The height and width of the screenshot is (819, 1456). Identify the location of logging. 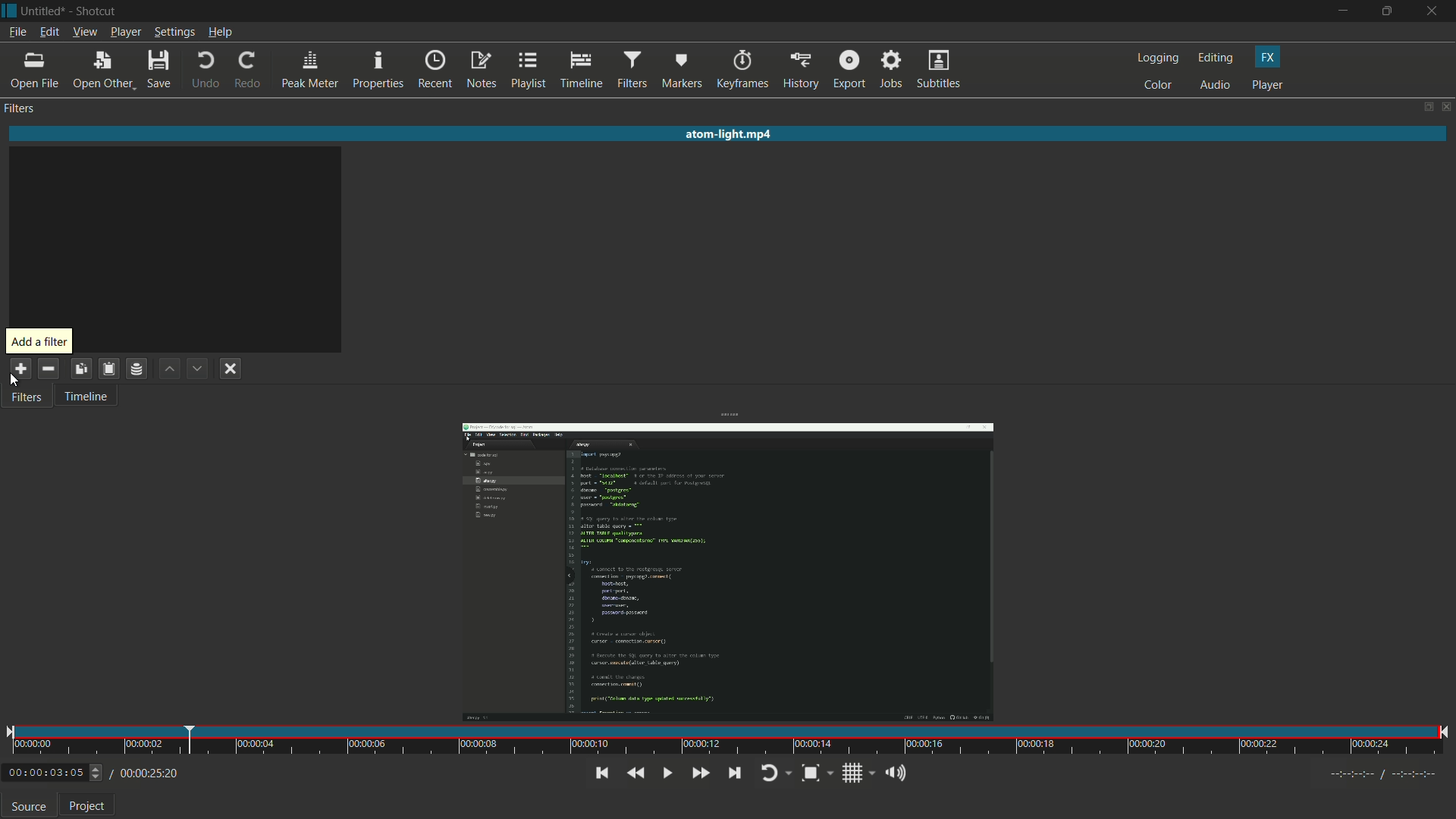
(1156, 59).